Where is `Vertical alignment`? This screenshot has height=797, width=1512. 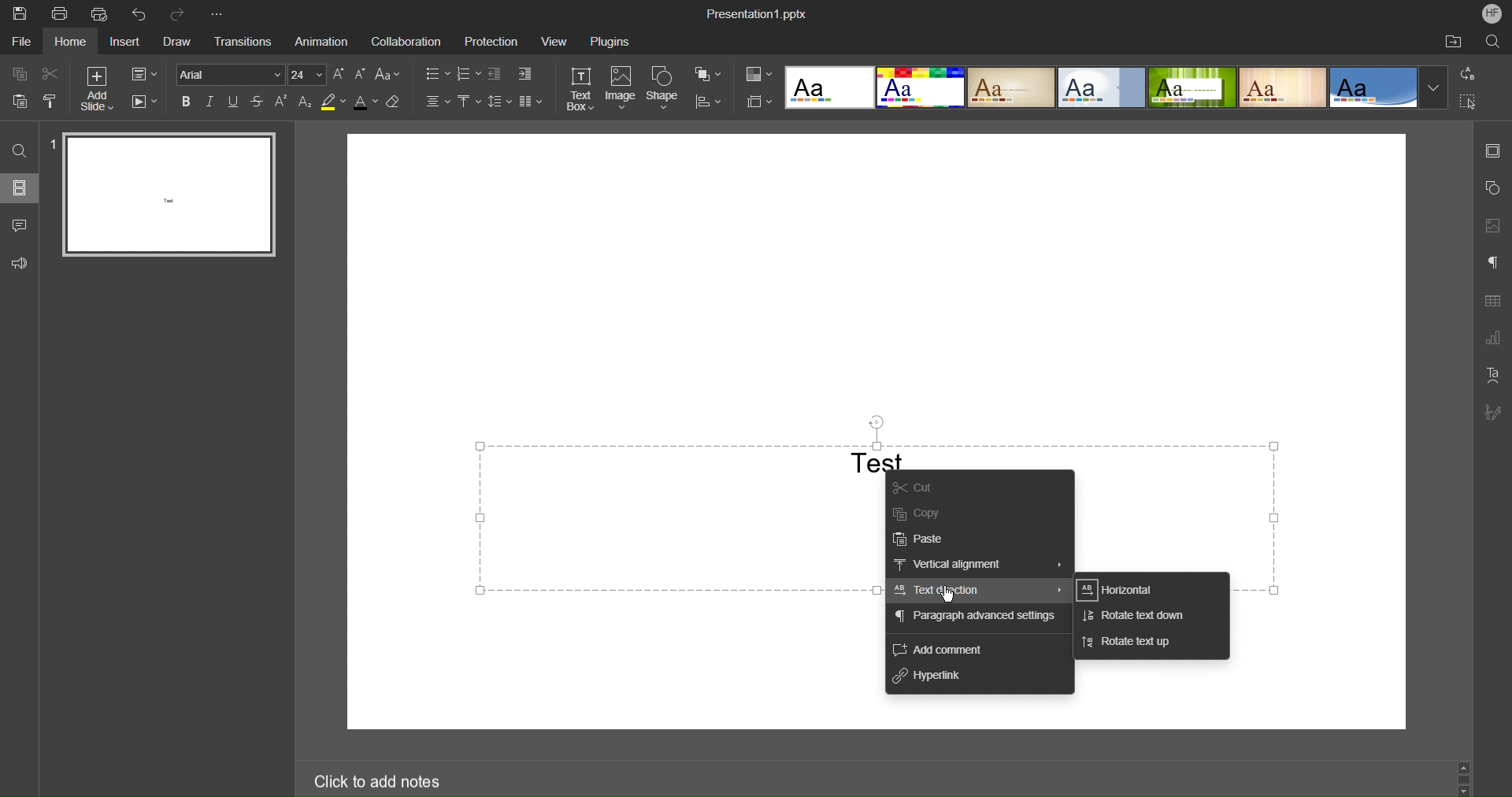 Vertical alignment is located at coordinates (980, 565).